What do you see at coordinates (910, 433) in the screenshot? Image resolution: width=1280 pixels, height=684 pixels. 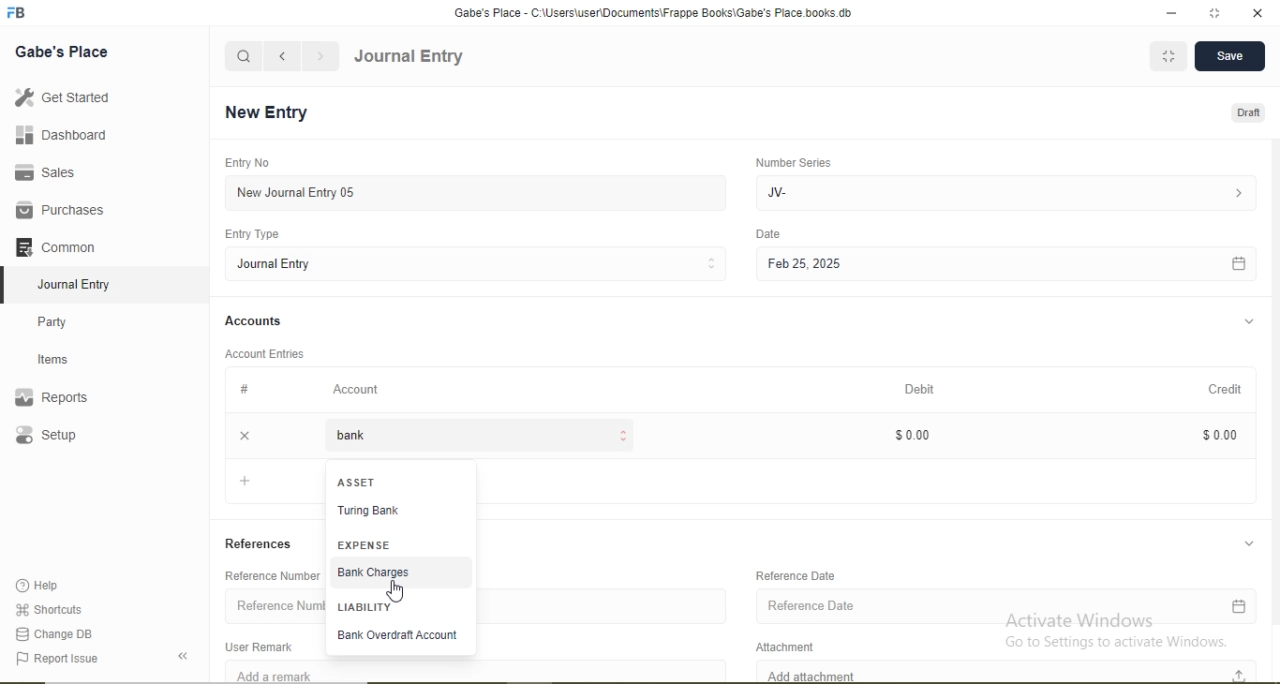 I see `$0.00` at bounding box center [910, 433].